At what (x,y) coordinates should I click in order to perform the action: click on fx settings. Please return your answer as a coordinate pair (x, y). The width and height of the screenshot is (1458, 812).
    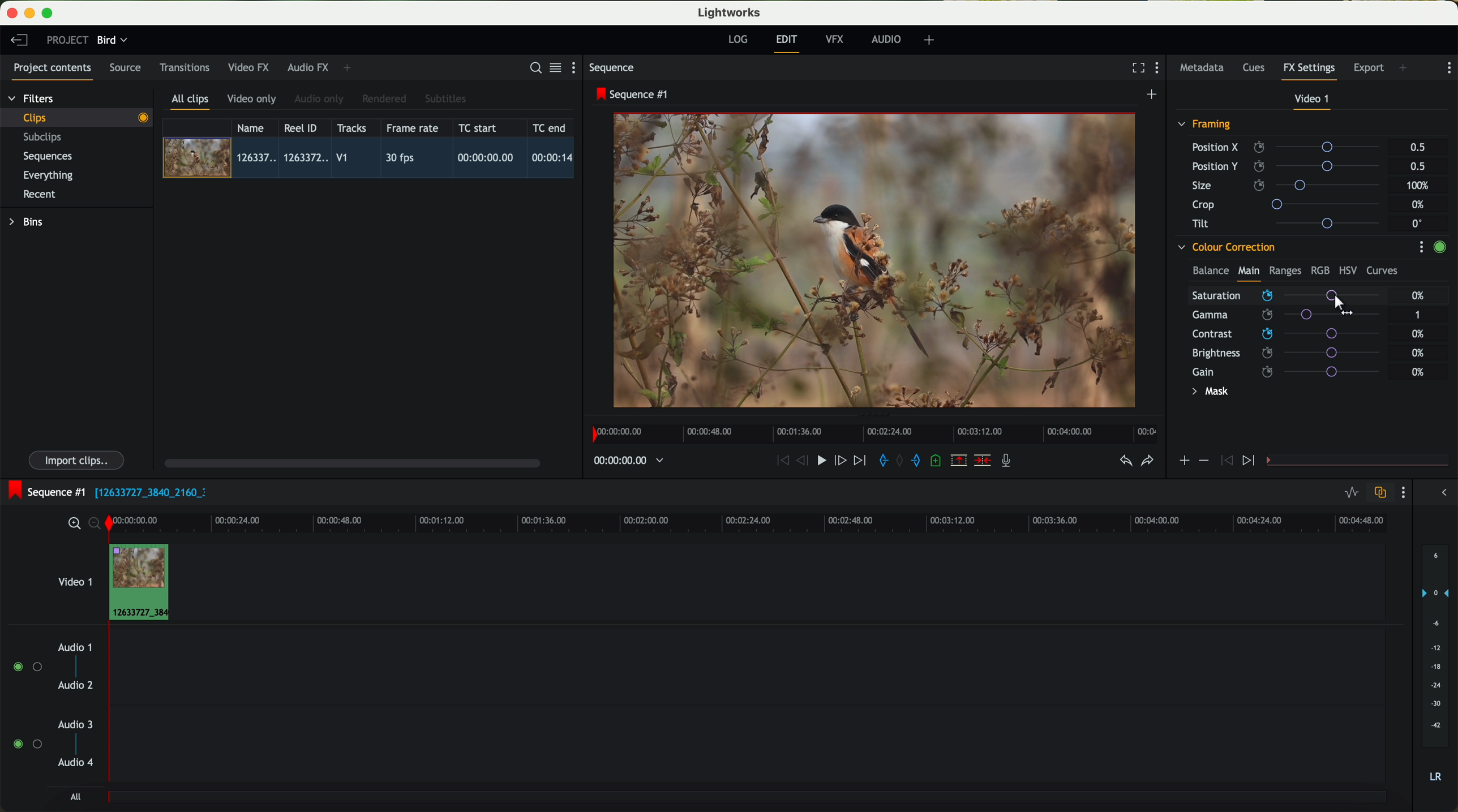
    Looking at the image, I should click on (1309, 71).